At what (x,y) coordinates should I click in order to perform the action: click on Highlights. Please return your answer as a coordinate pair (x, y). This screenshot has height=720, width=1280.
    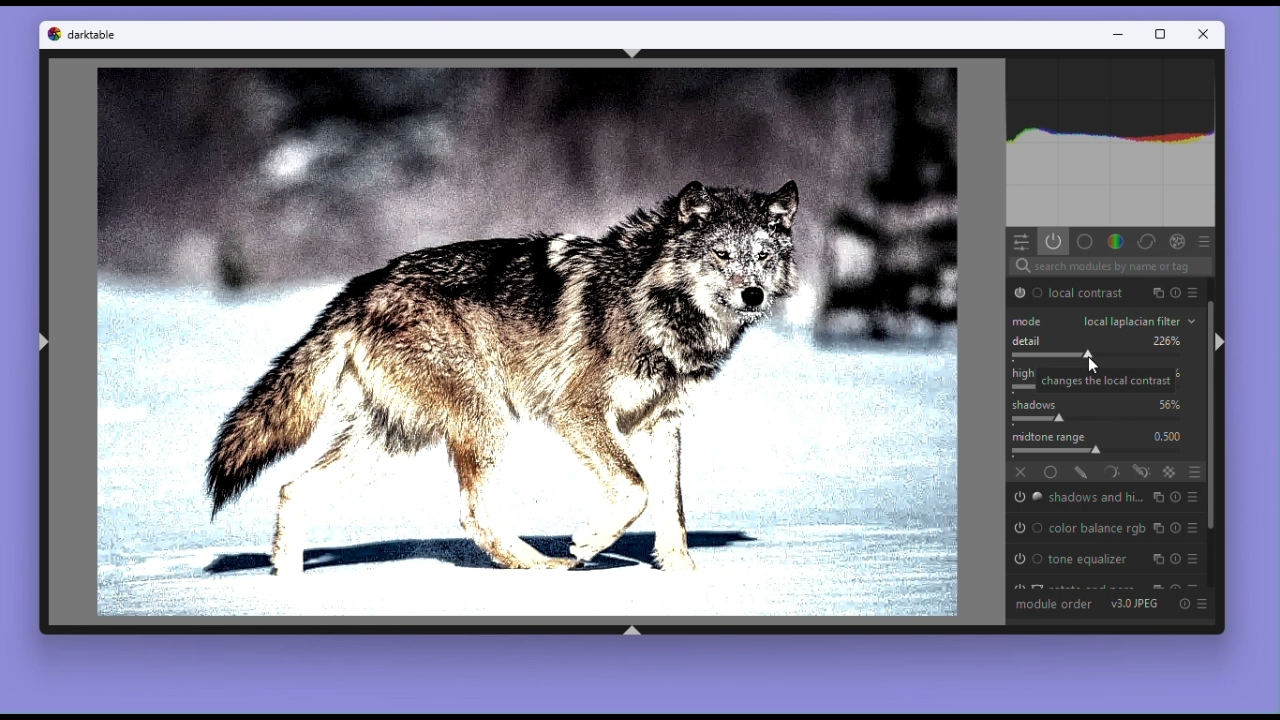
    Looking at the image, I should click on (1108, 380).